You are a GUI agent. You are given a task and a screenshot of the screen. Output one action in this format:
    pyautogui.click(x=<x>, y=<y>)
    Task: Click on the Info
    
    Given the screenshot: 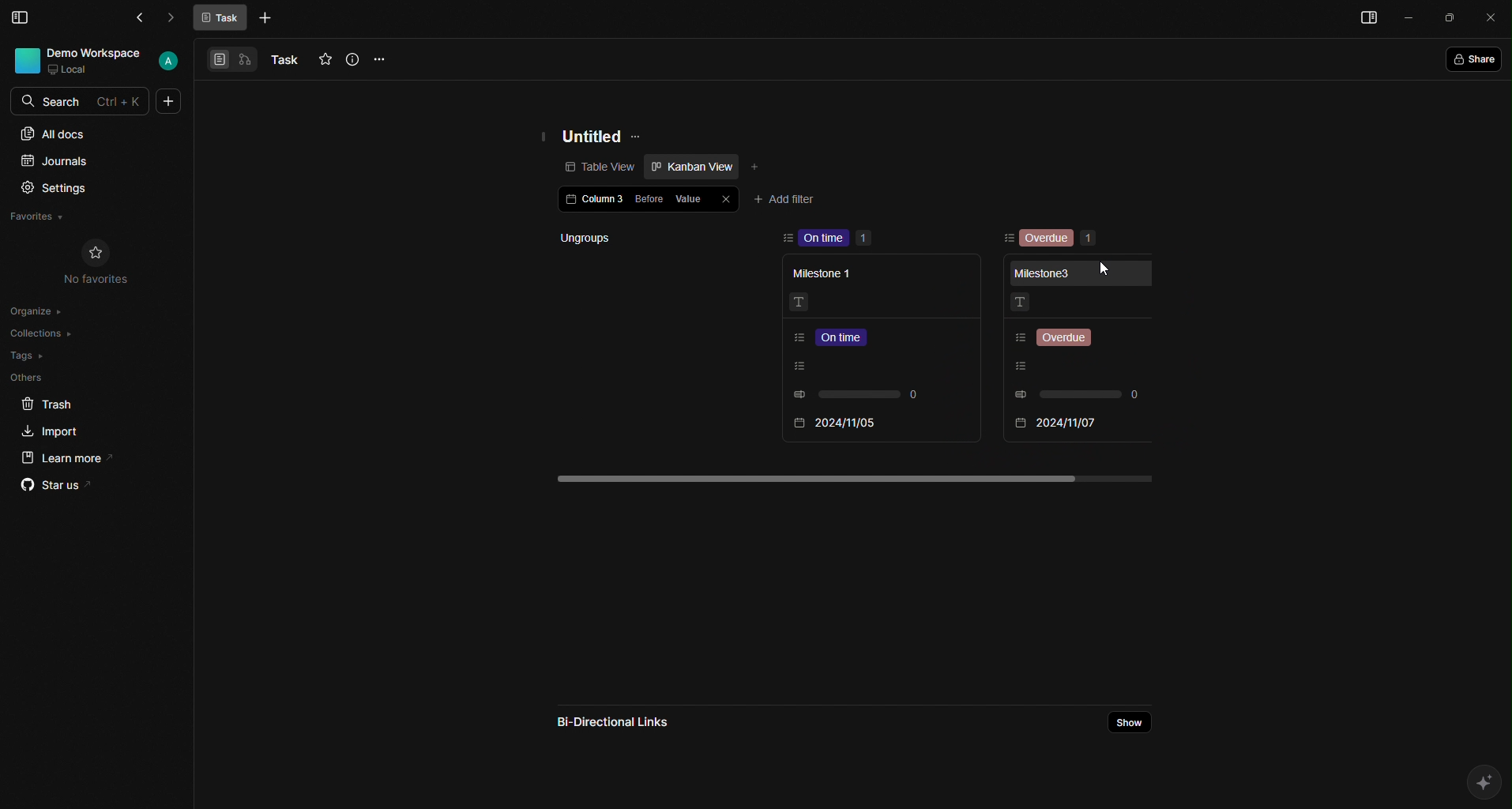 What is the action you would take?
    pyautogui.click(x=351, y=58)
    